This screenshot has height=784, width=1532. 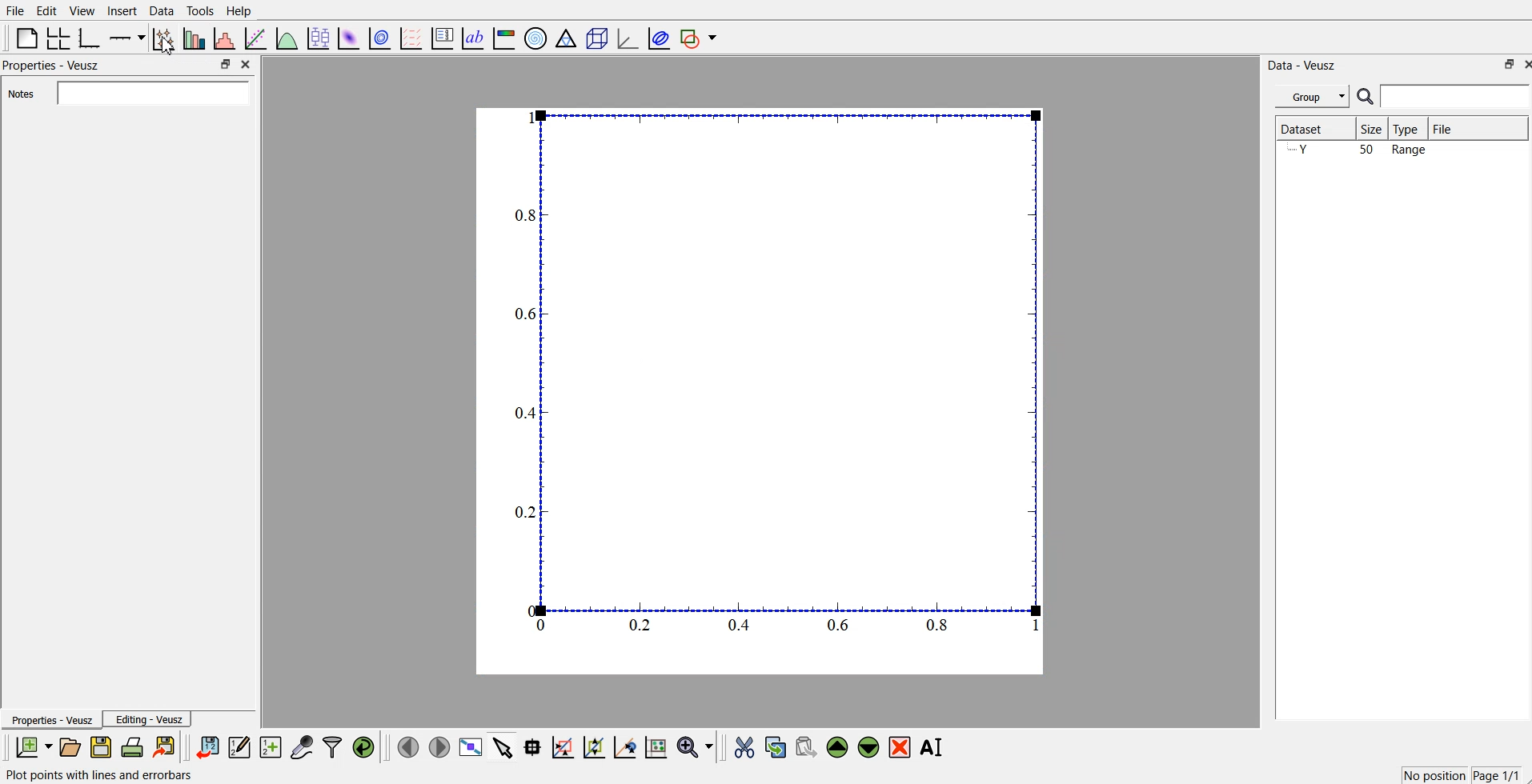 What do you see at coordinates (226, 37) in the screenshot?
I see `histogram` at bounding box center [226, 37].